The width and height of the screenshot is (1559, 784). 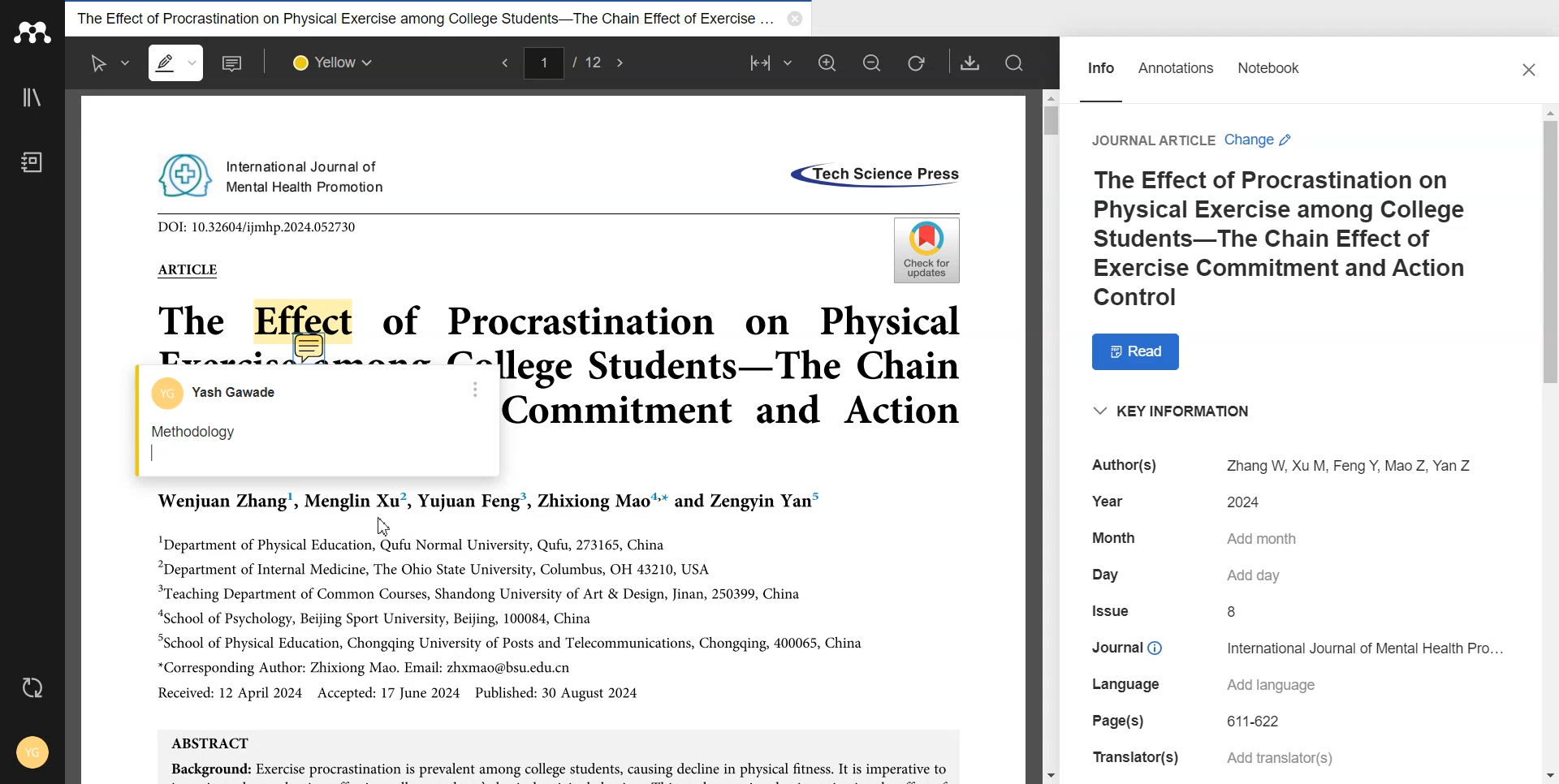 What do you see at coordinates (619, 63) in the screenshot?
I see `Next` at bounding box center [619, 63].